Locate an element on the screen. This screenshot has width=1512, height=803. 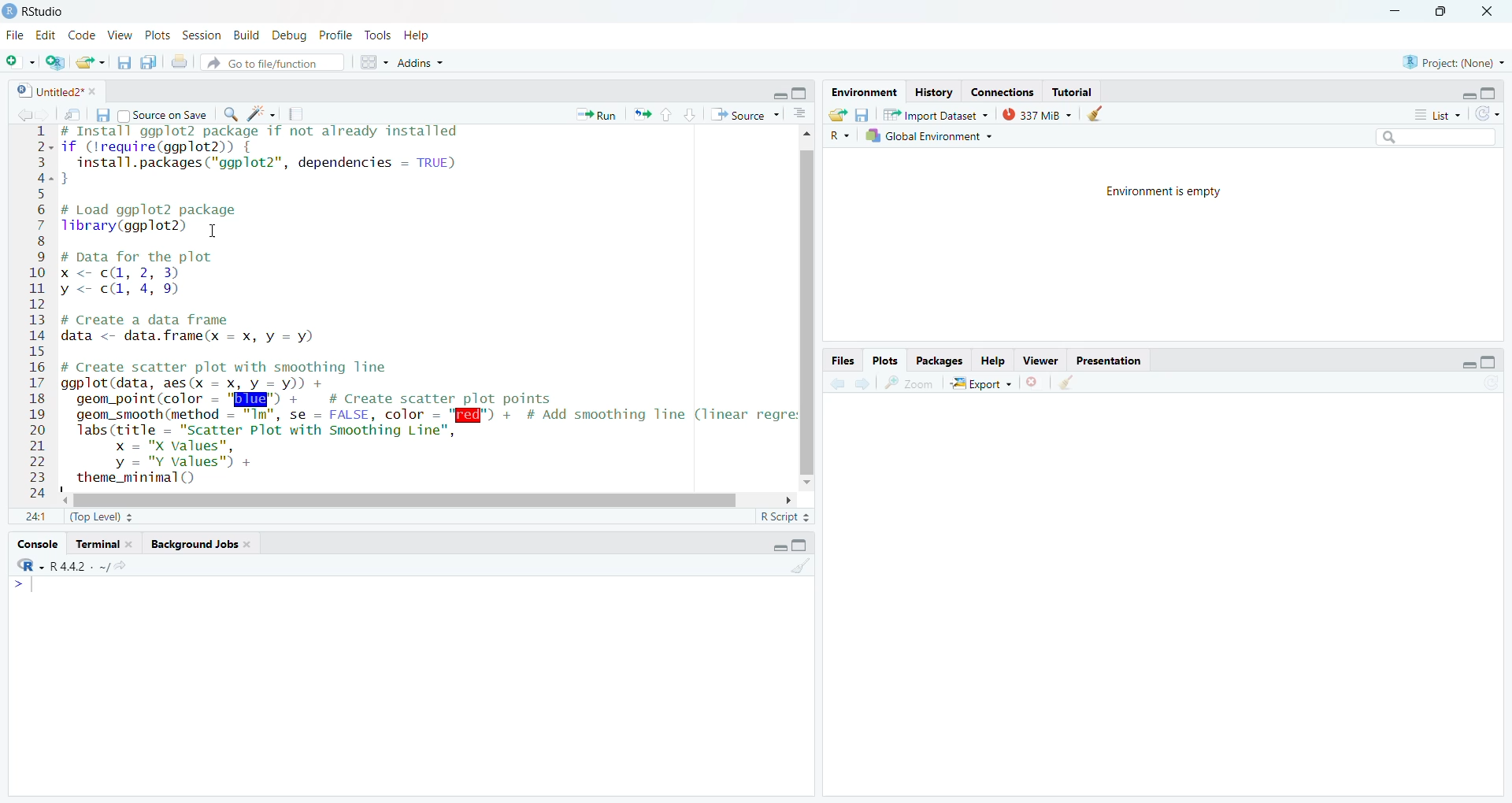
Debug is located at coordinates (289, 35).